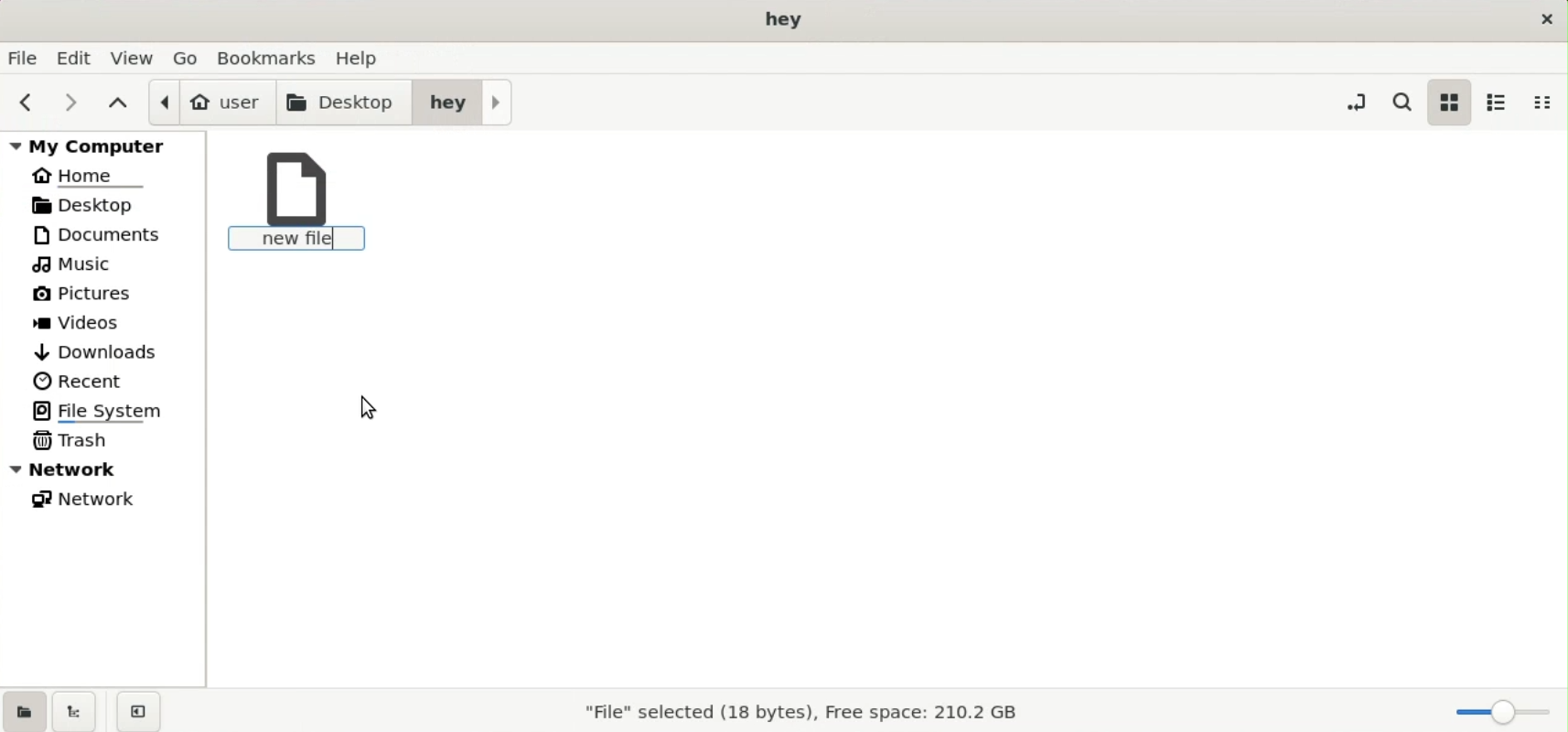 The image size is (1568, 732). What do you see at coordinates (1356, 101) in the screenshot?
I see `toggle location entry` at bounding box center [1356, 101].